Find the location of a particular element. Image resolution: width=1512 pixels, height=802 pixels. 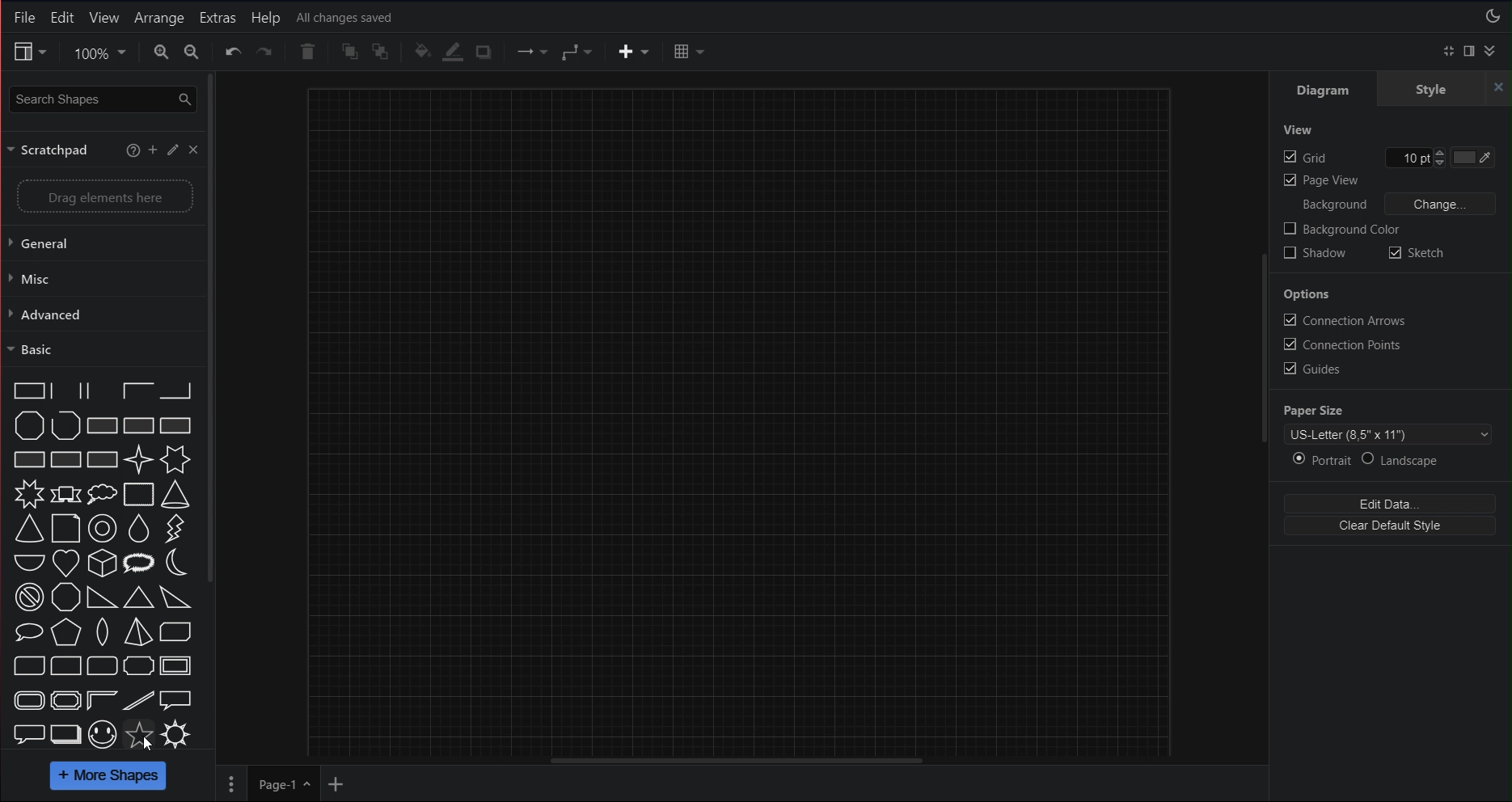

layered rectangle is located at coordinates (67, 734).